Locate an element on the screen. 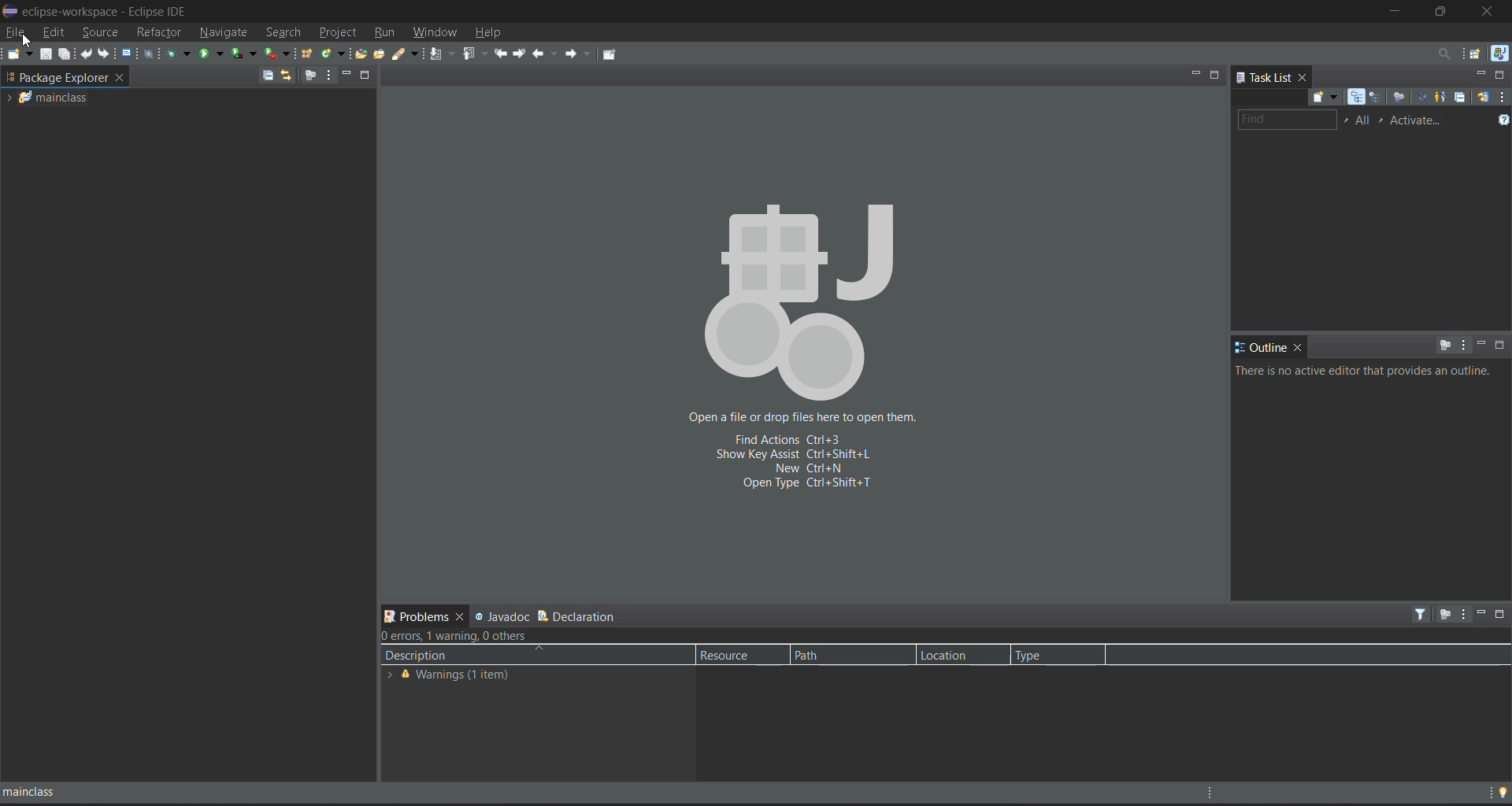  search is located at coordinates (283, 33).